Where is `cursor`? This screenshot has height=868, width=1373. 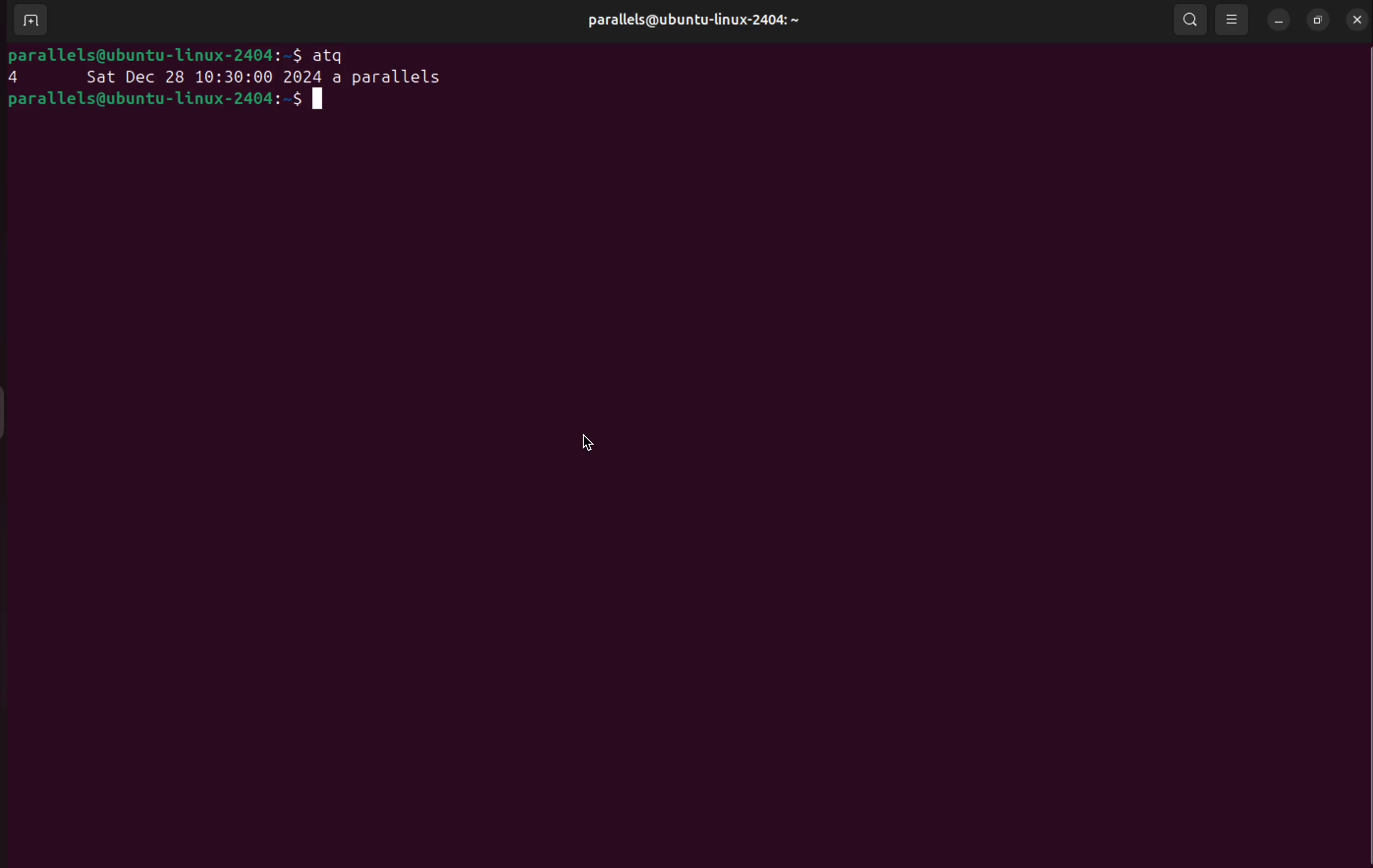
cursor is located at coordinates (593, 442).